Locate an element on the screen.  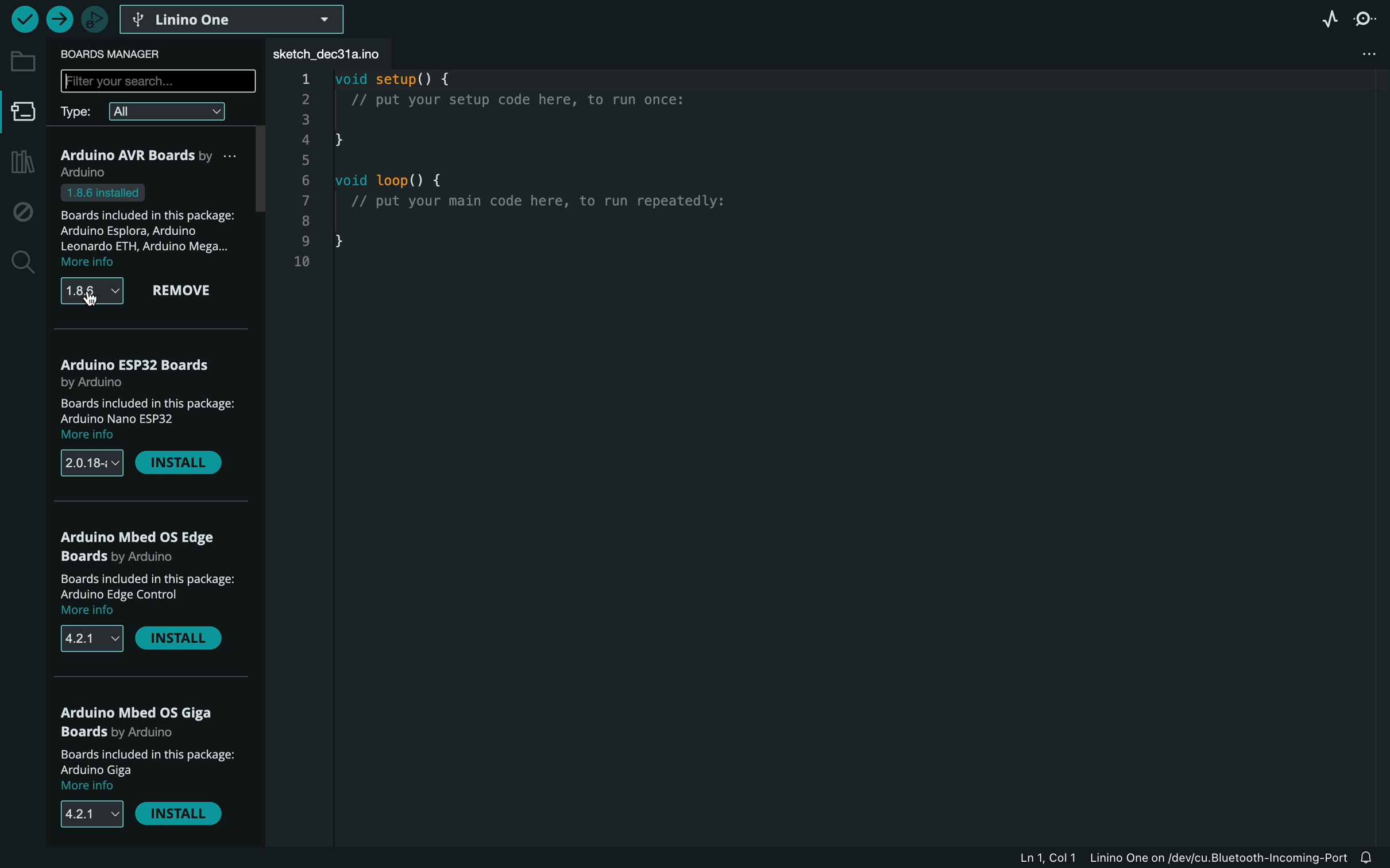
cursor is located at coordinates (93, 298).